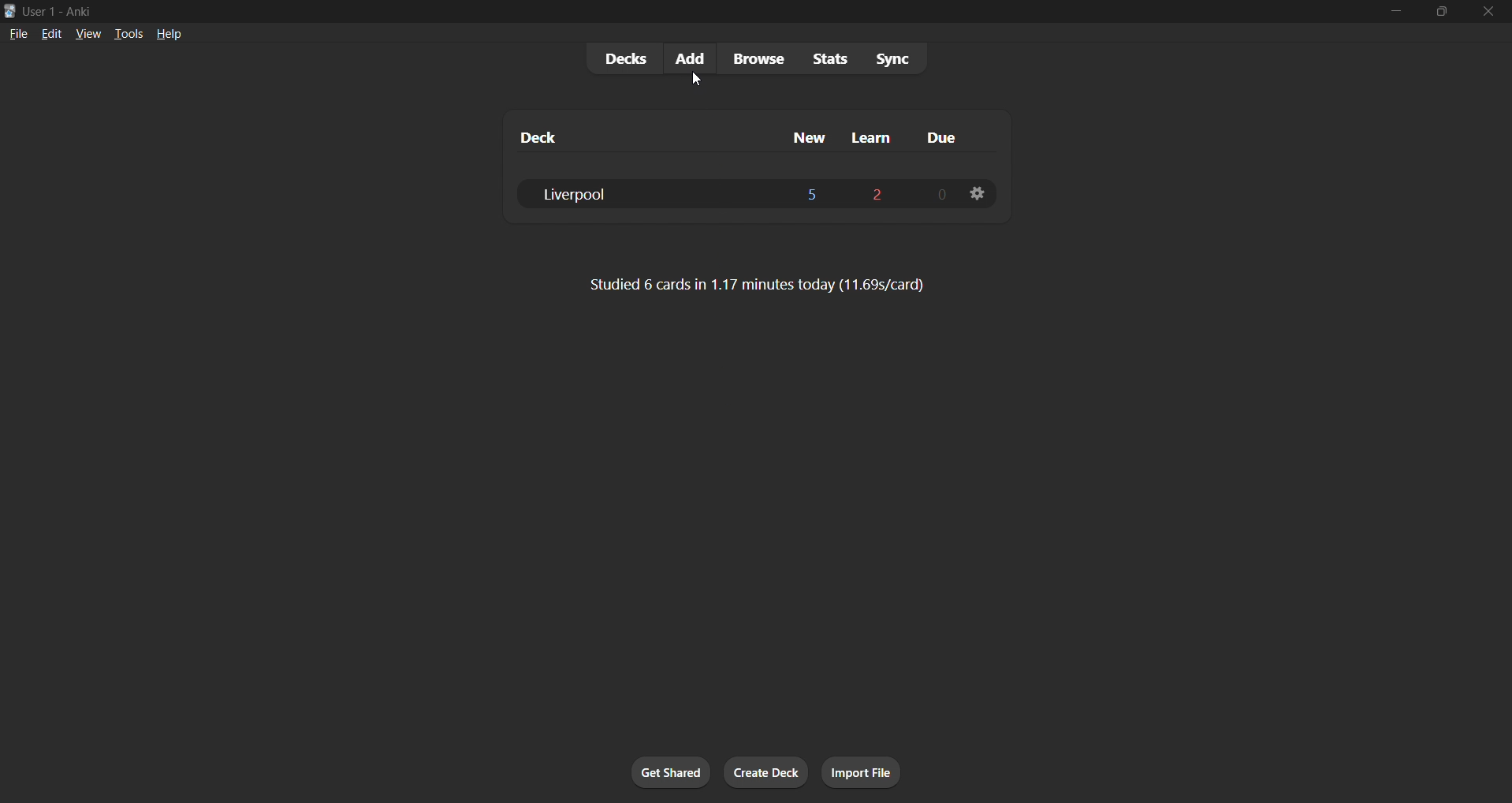  Describe the element at coordinates (754, 58) in the screenshot. I see `browse` at that location.